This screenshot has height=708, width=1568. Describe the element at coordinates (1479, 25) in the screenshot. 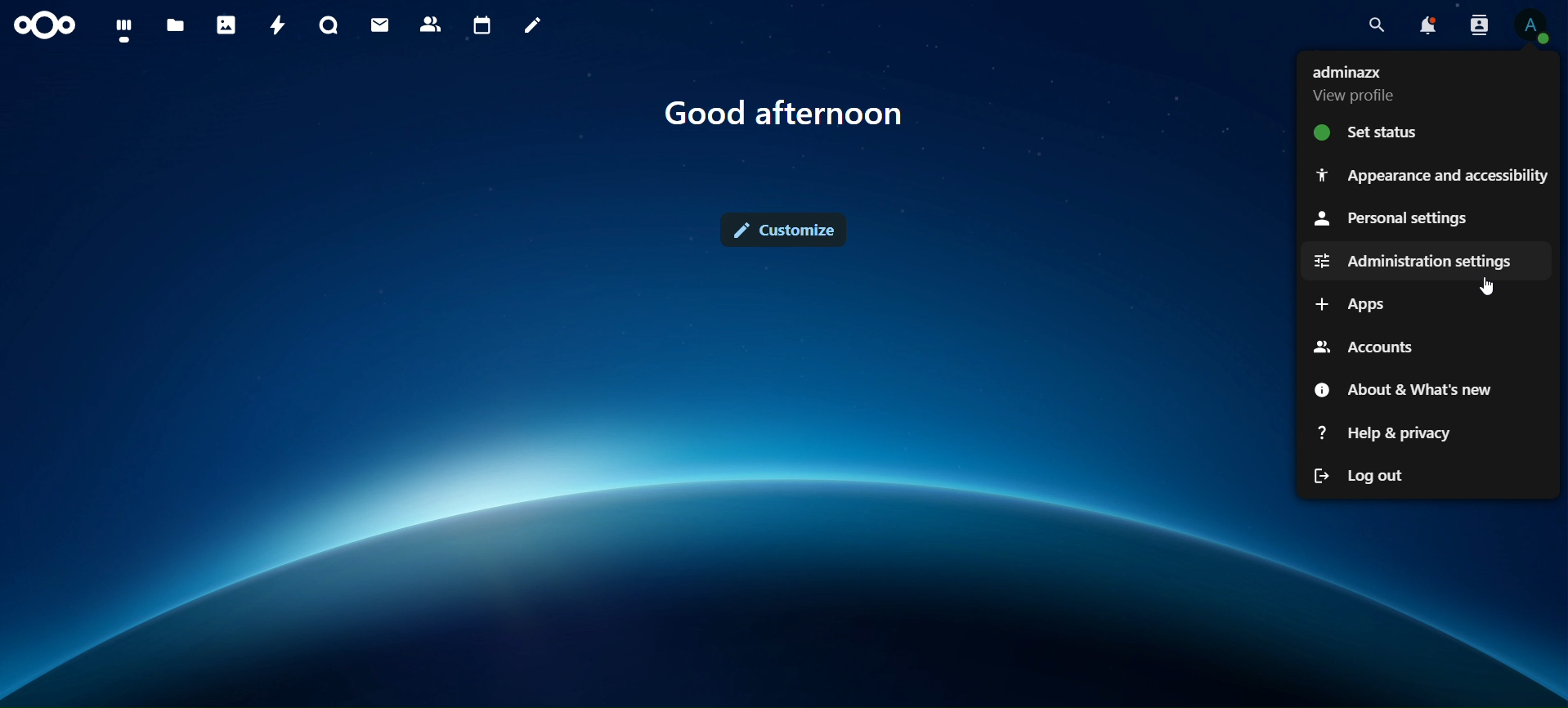

I see `search contacts` at that location.